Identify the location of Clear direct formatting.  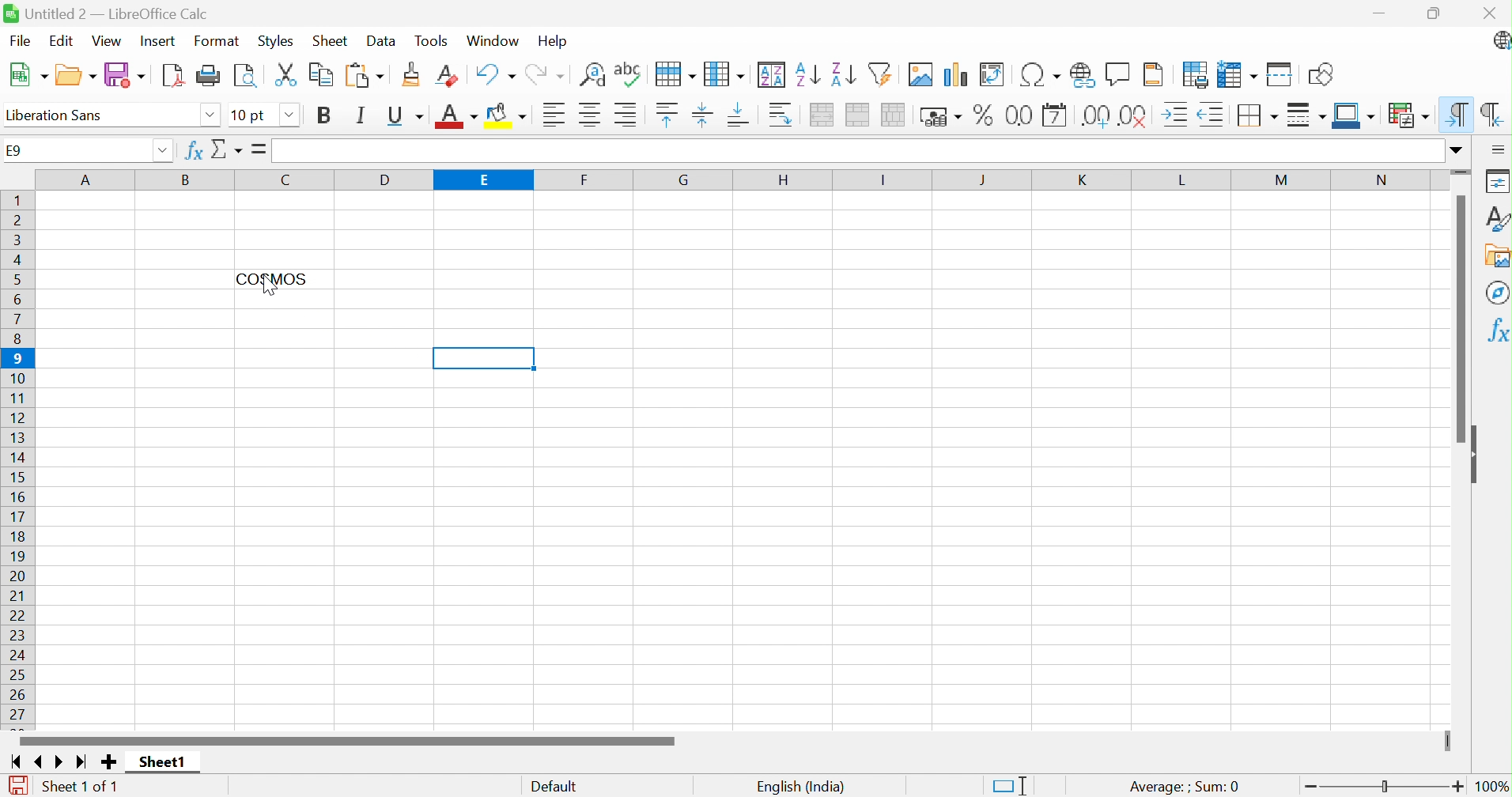
(445, 74).